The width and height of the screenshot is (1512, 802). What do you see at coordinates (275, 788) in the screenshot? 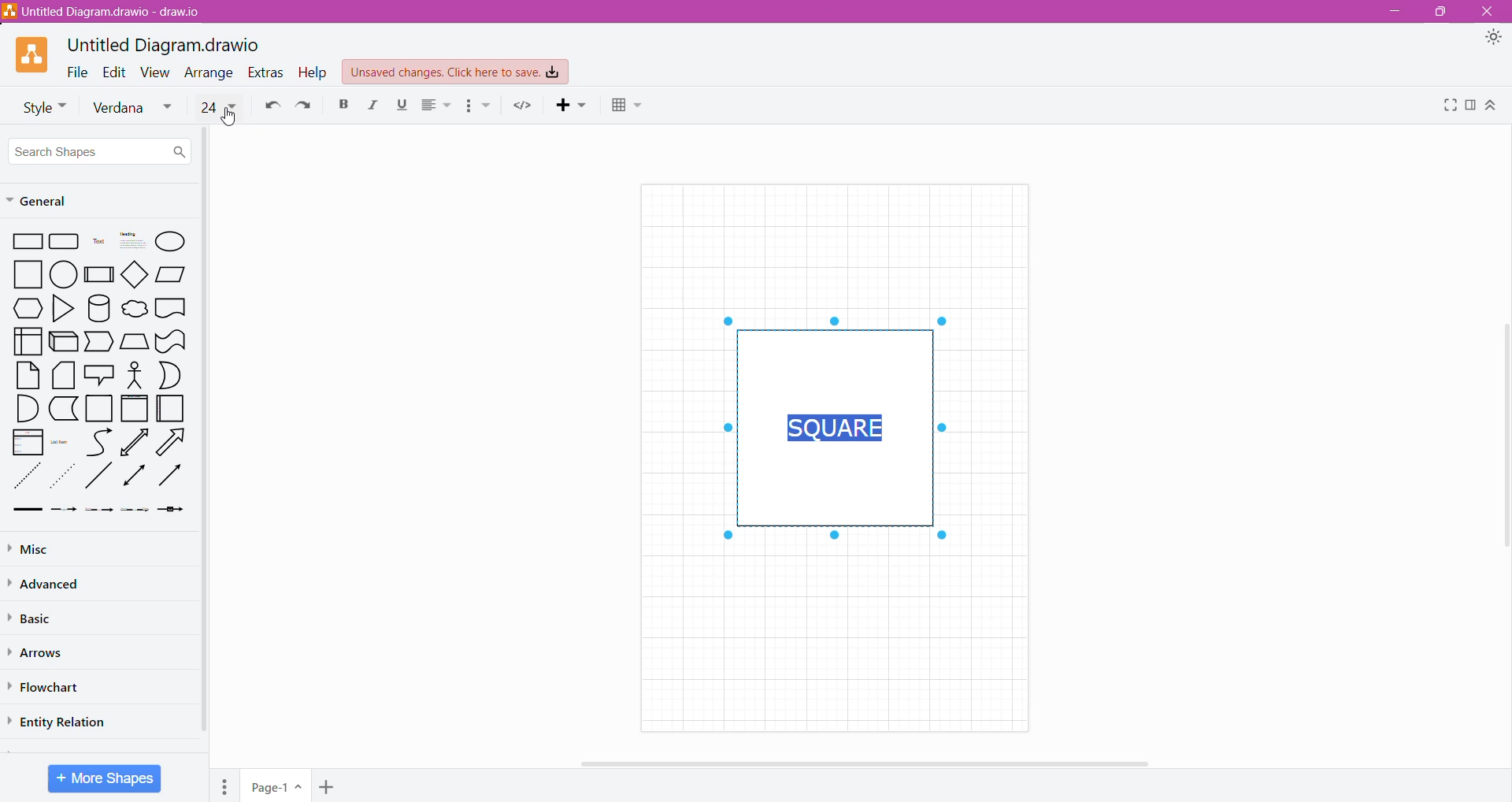
I see `Page Name` at bounding box center [275, 788].